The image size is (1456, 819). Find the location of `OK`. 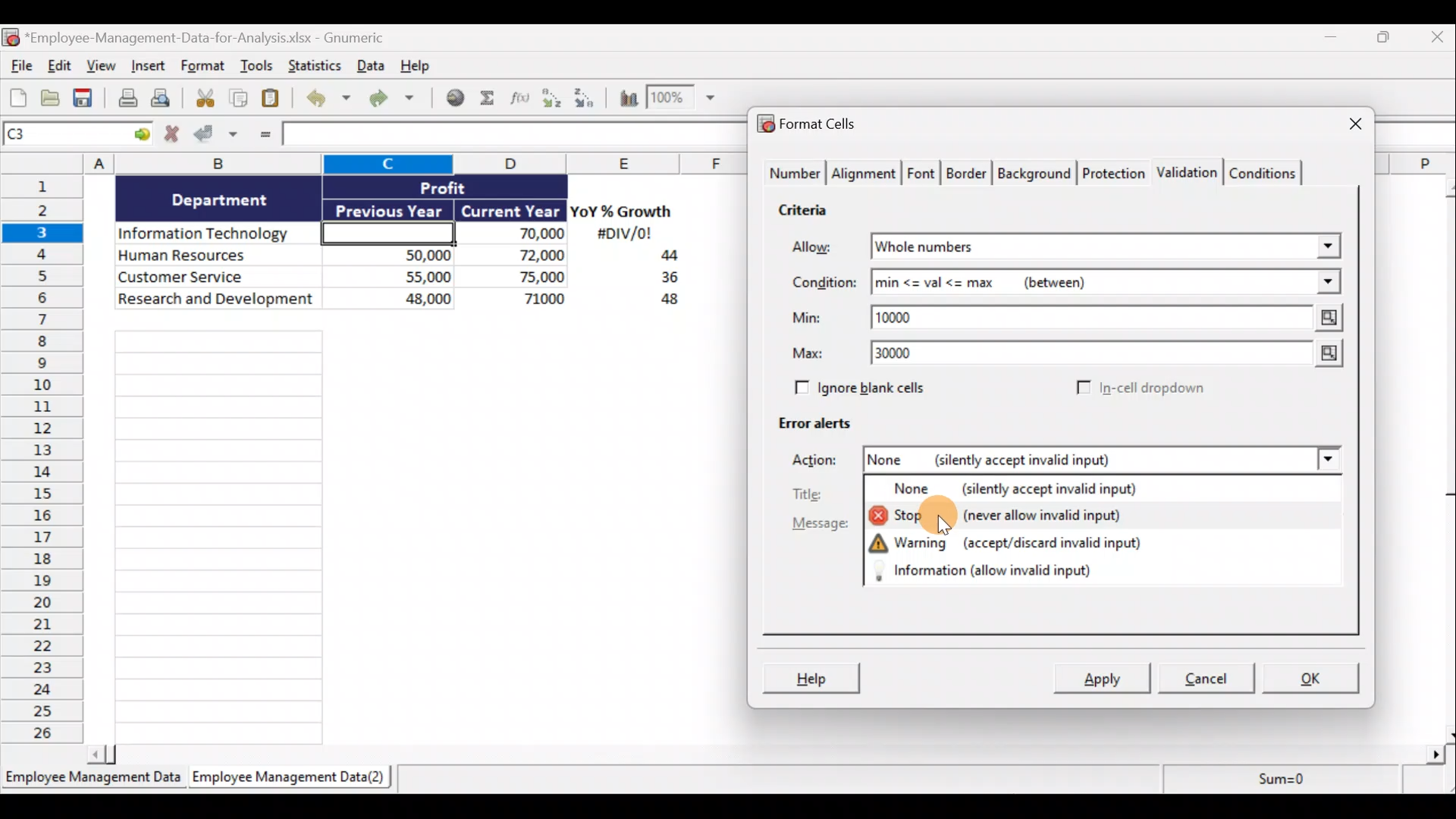

OK is located at coordinates (1312, 676).